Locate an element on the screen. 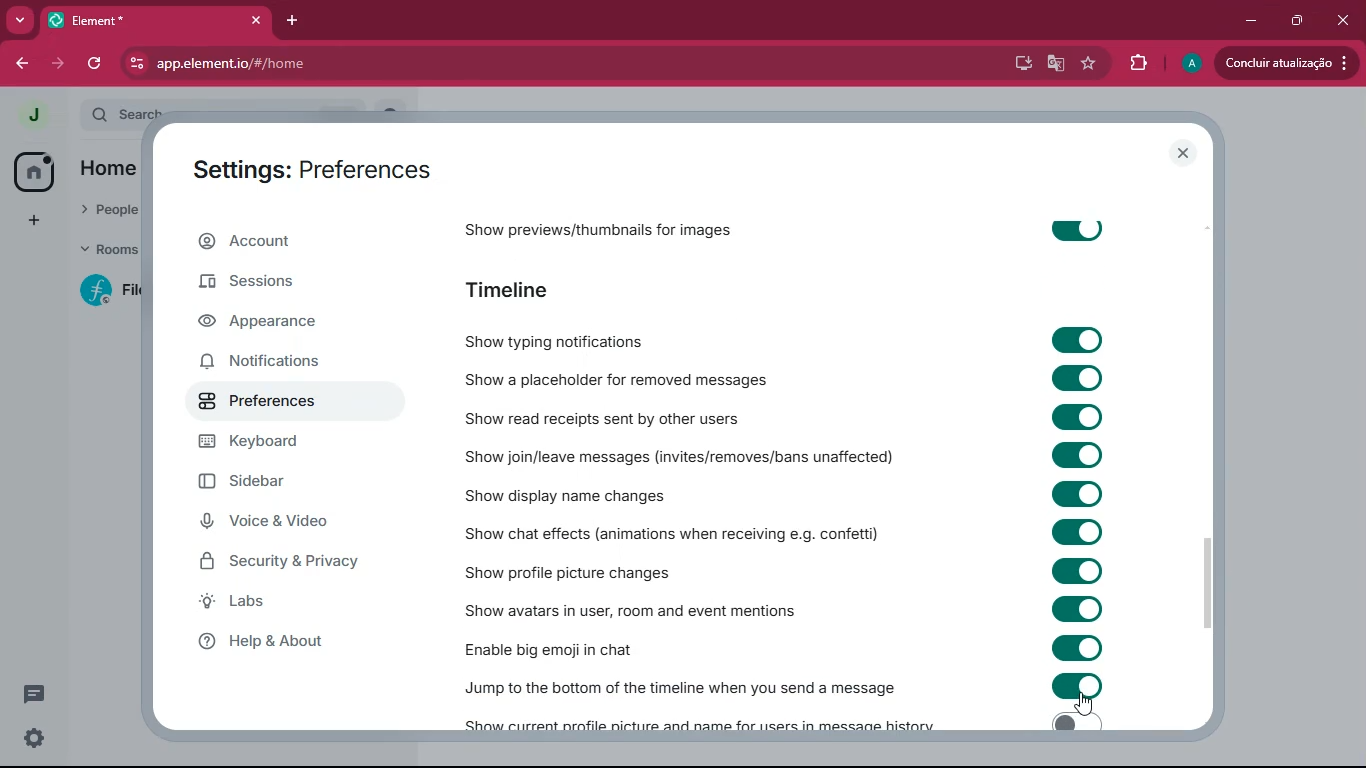  maximize is located at coordinates (1298, 21).